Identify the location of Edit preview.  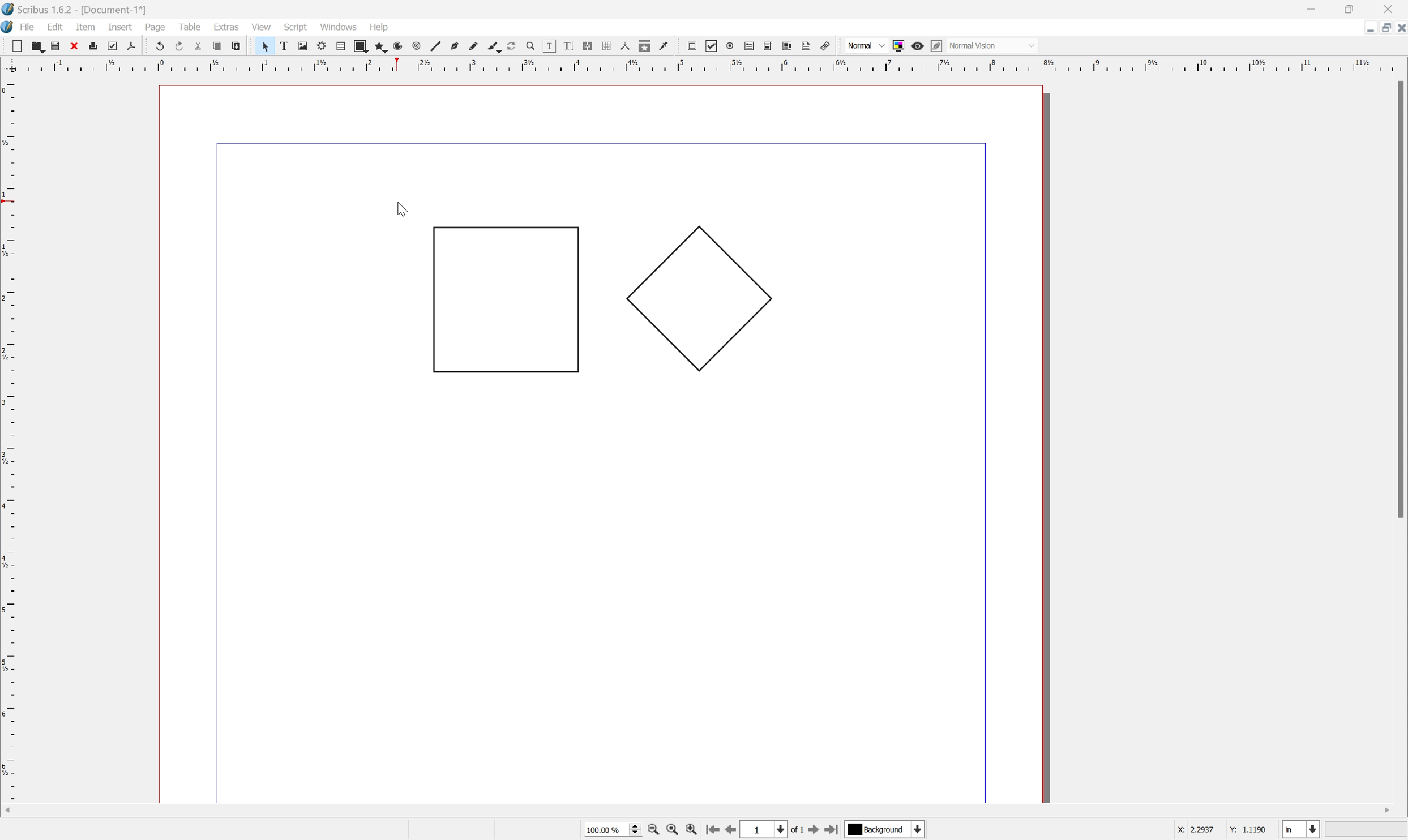
(936, 45).